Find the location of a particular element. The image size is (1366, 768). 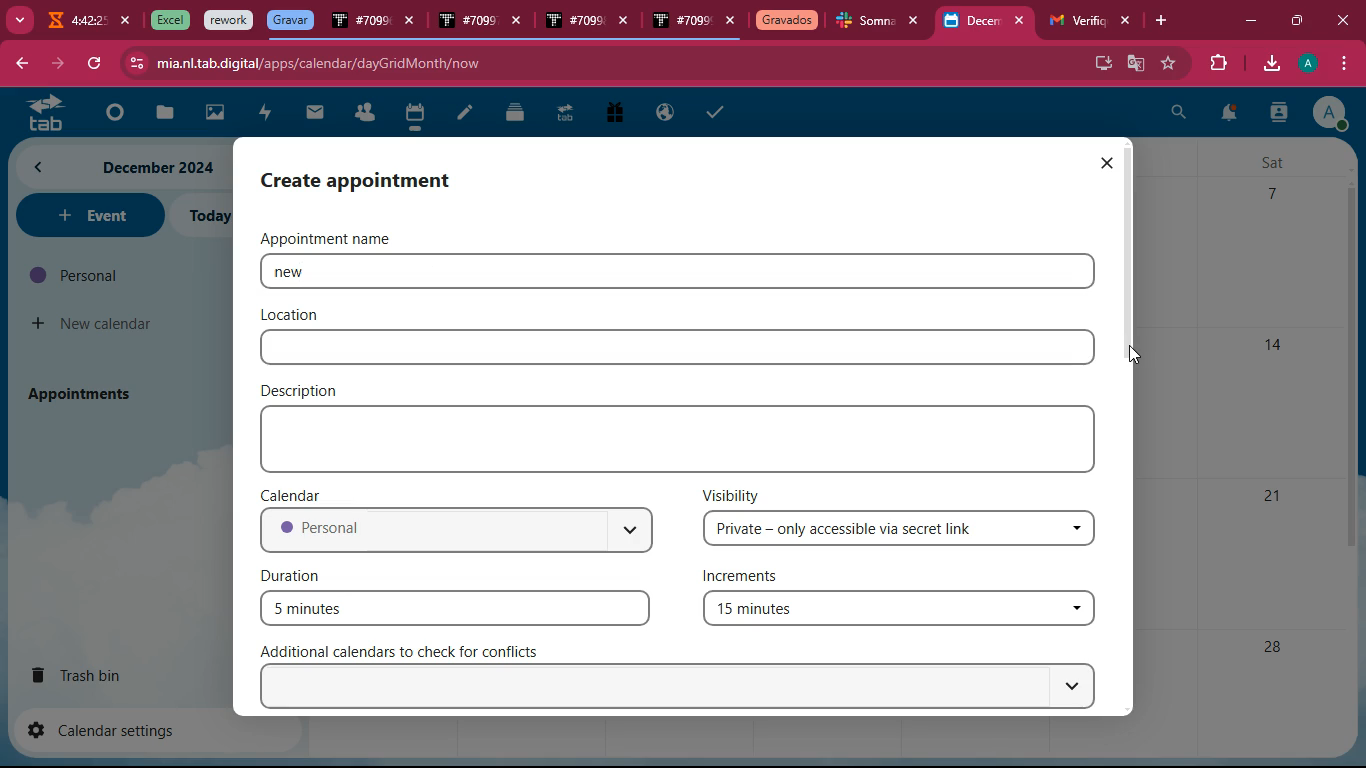

description is located at coordinates (304, 389).